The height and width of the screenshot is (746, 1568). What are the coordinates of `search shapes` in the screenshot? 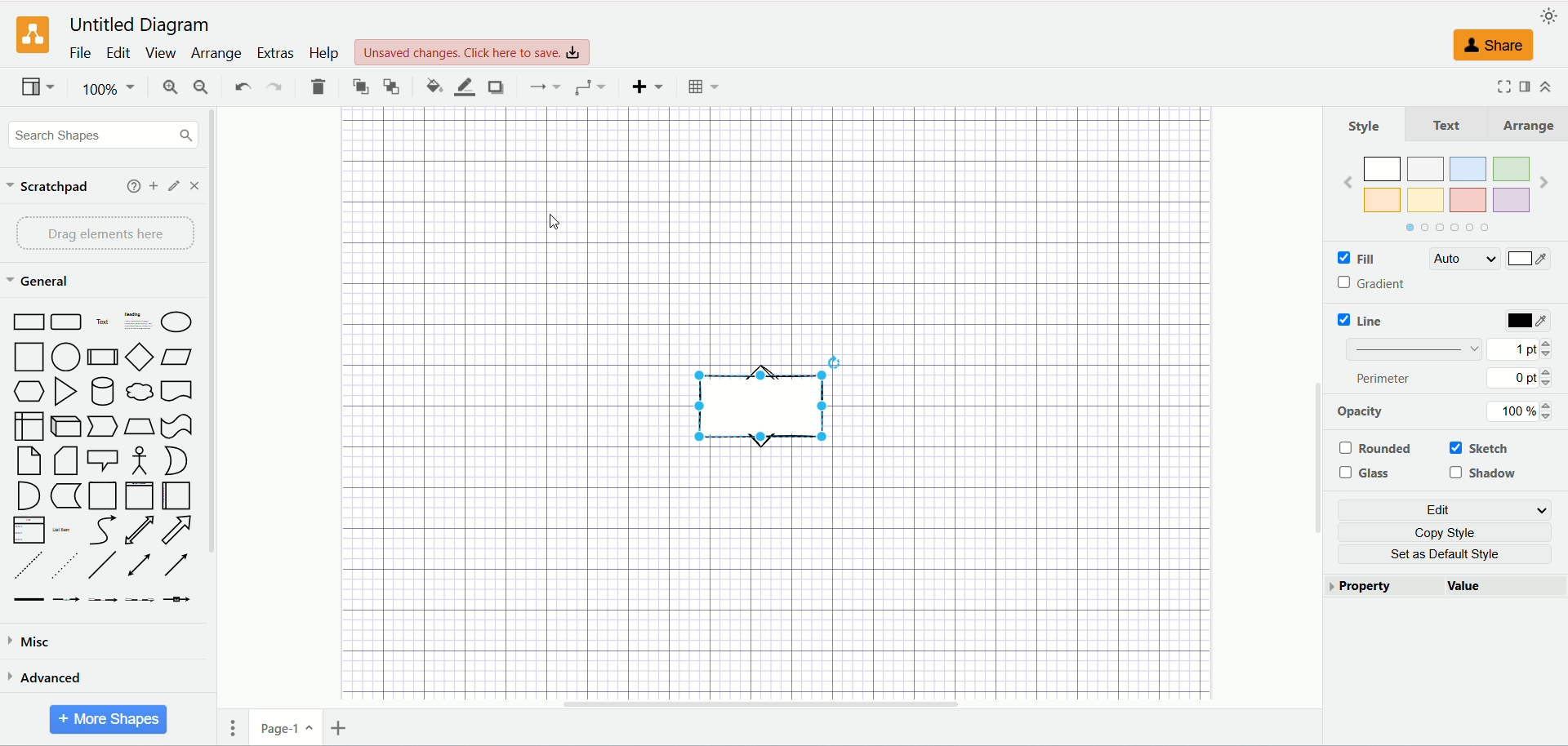 It's located at (103, 135).